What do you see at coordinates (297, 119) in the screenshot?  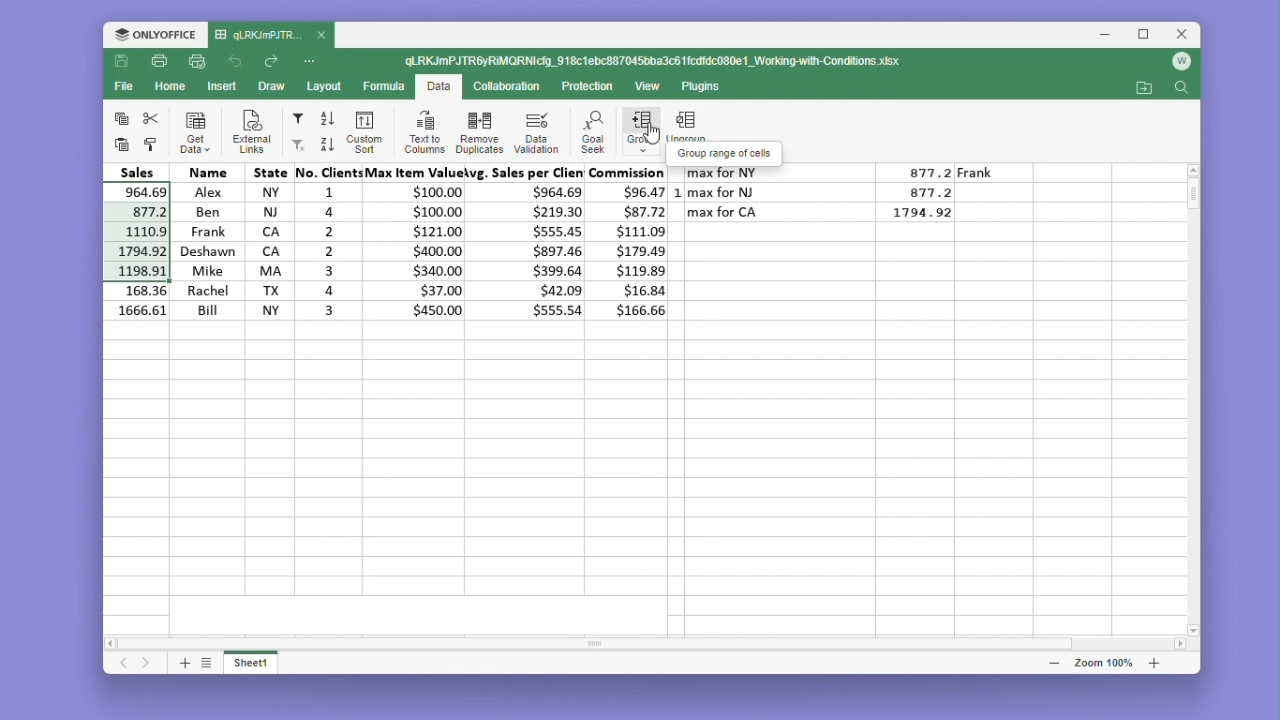 I see `Filter` at bounding box center [297, 119].